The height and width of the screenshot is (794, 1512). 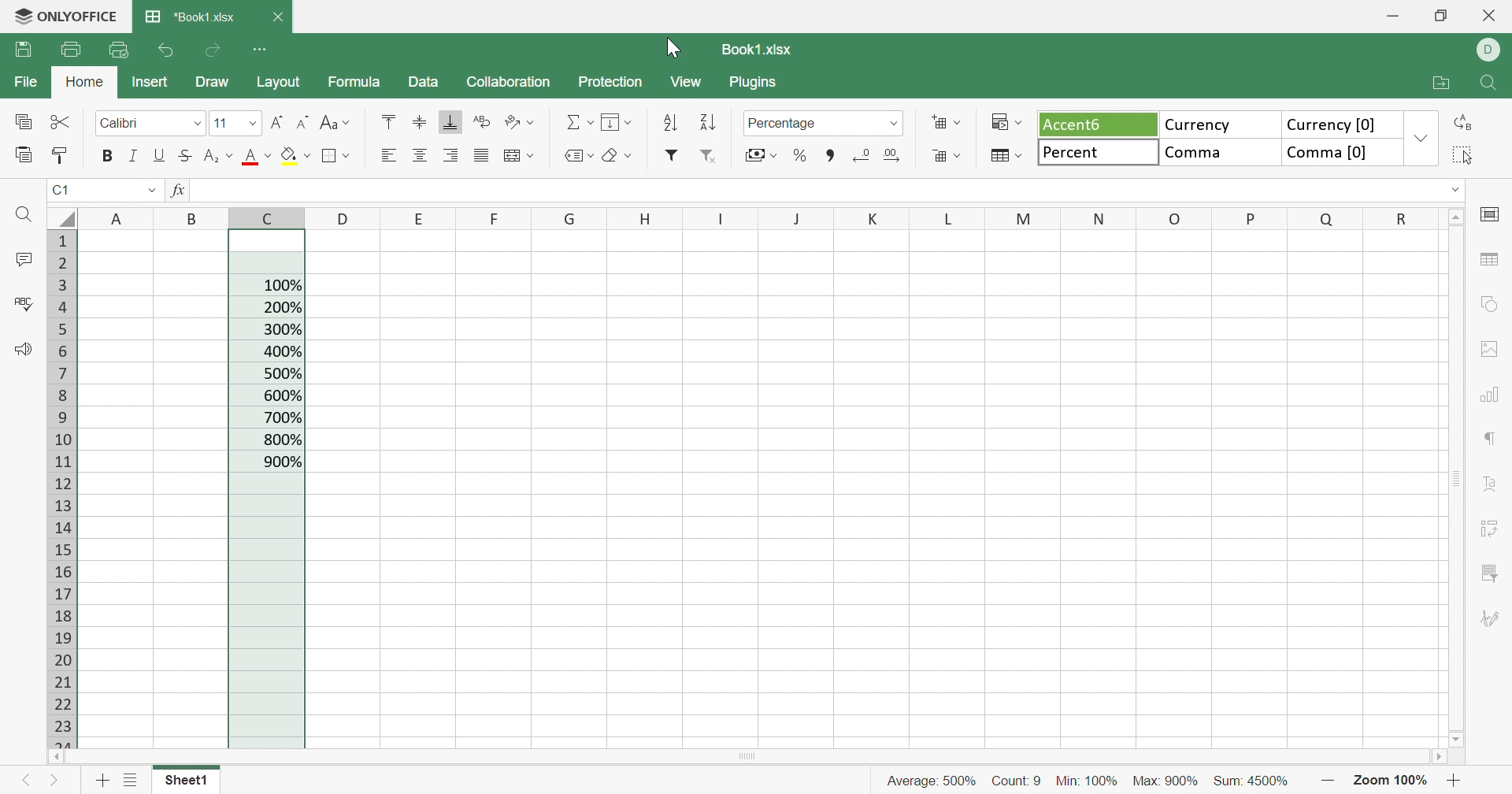 I want to click on , so click(x=192, y=216).